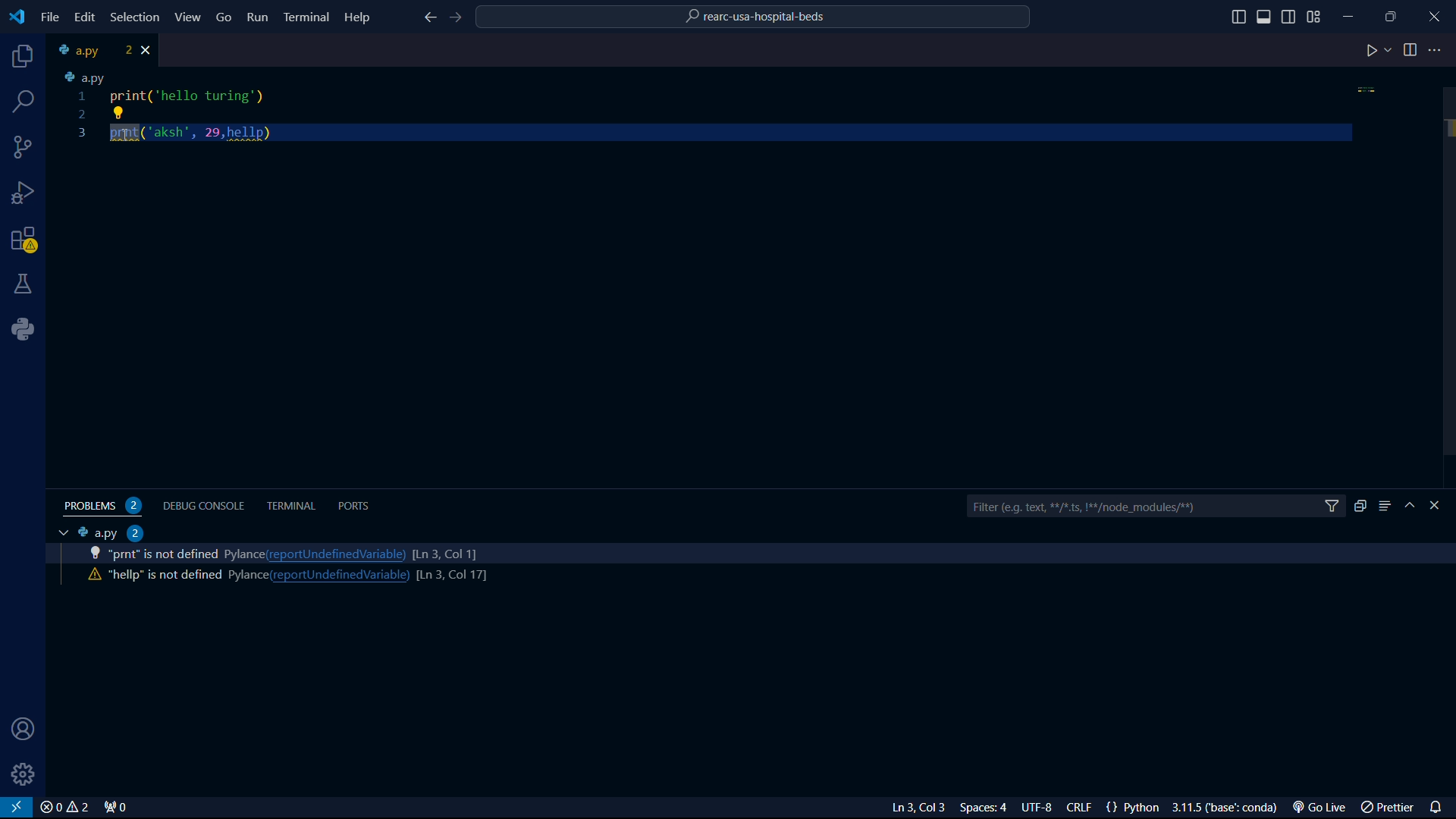  I want to click on ports, so click(357, 505).